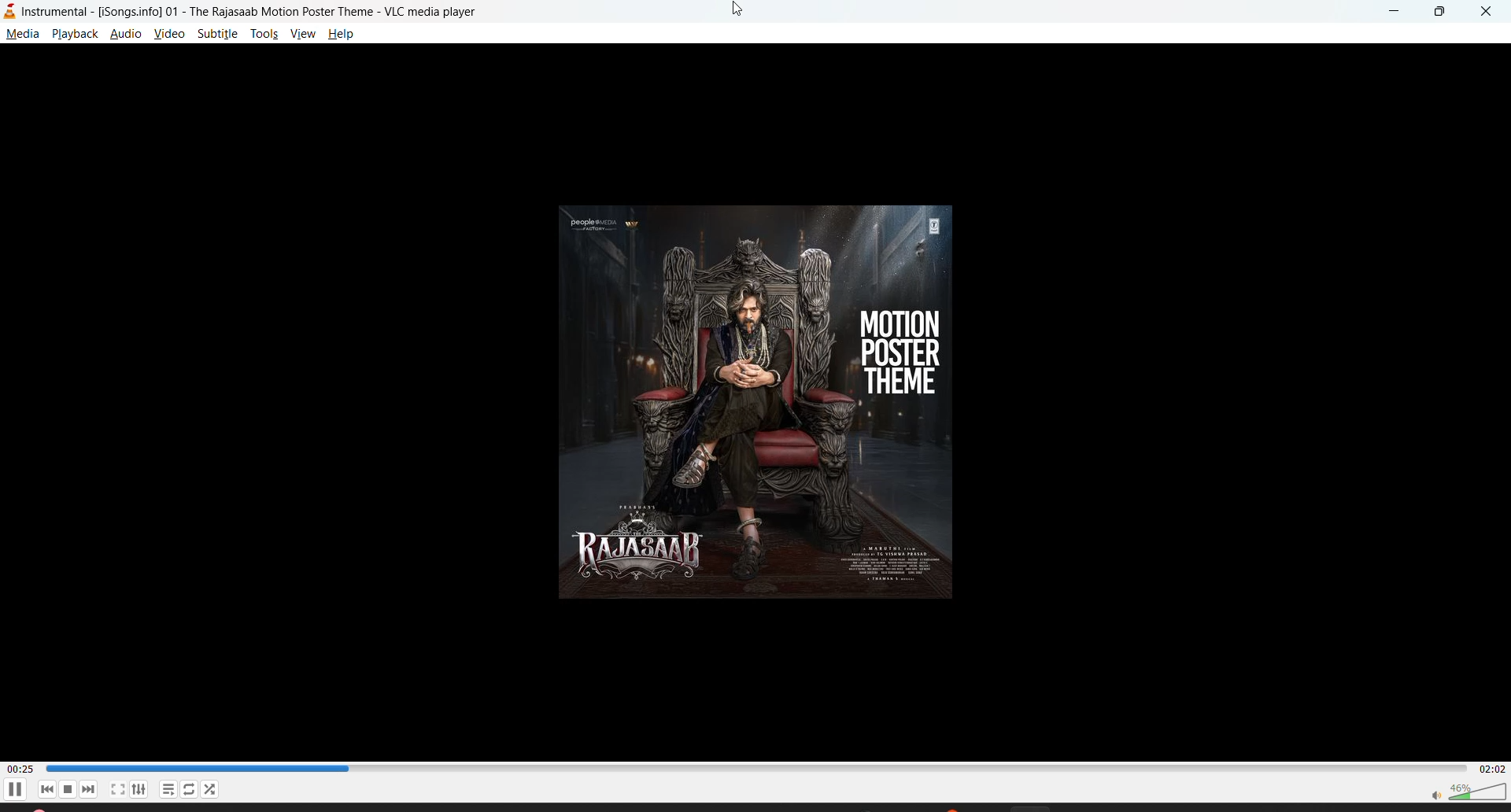  Describe the element at coordinates (1398, 11) in the screenshot. I see `minimize` at that location.